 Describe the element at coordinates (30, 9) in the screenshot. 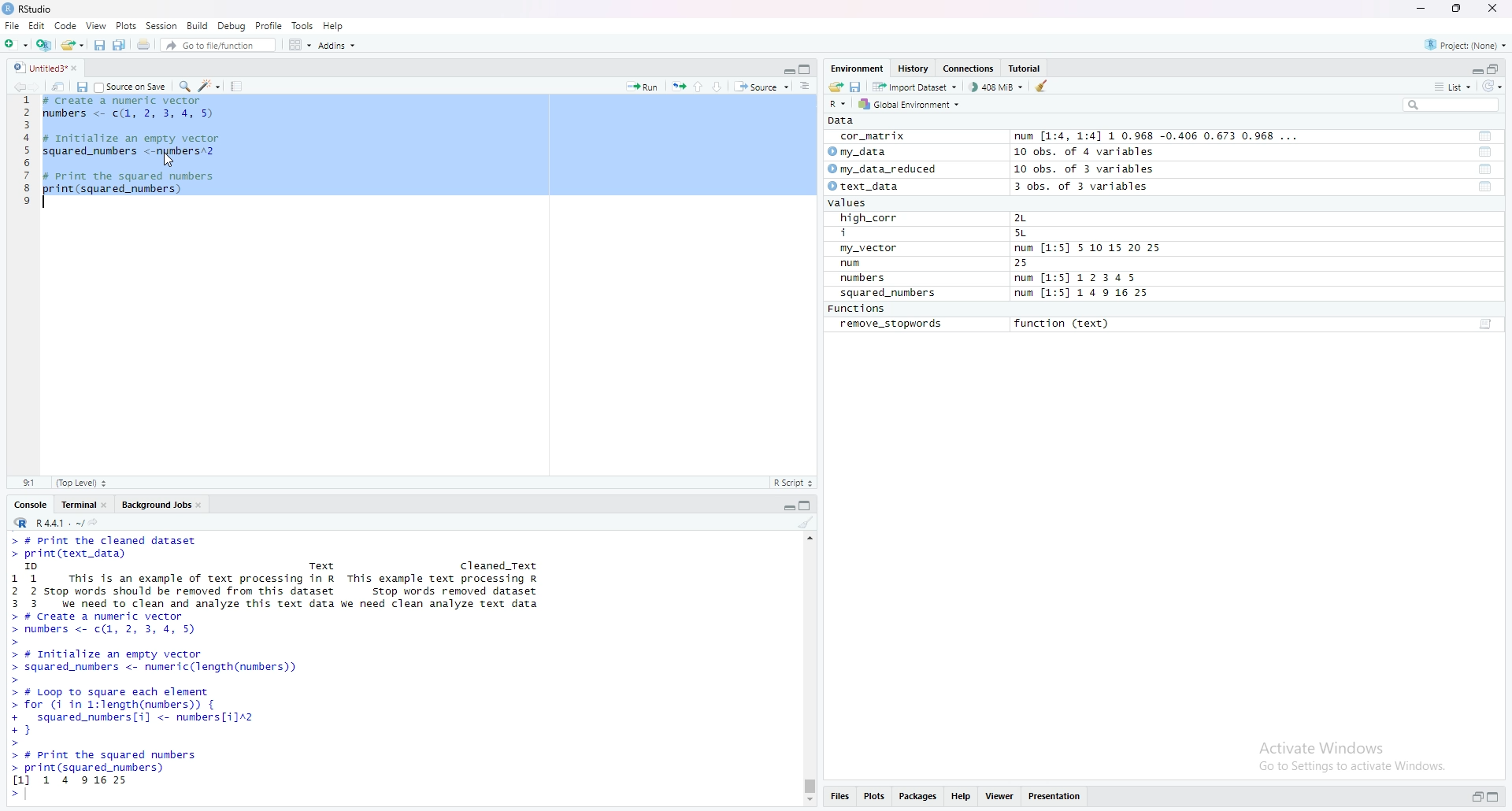

I see `RStudio` at that location.